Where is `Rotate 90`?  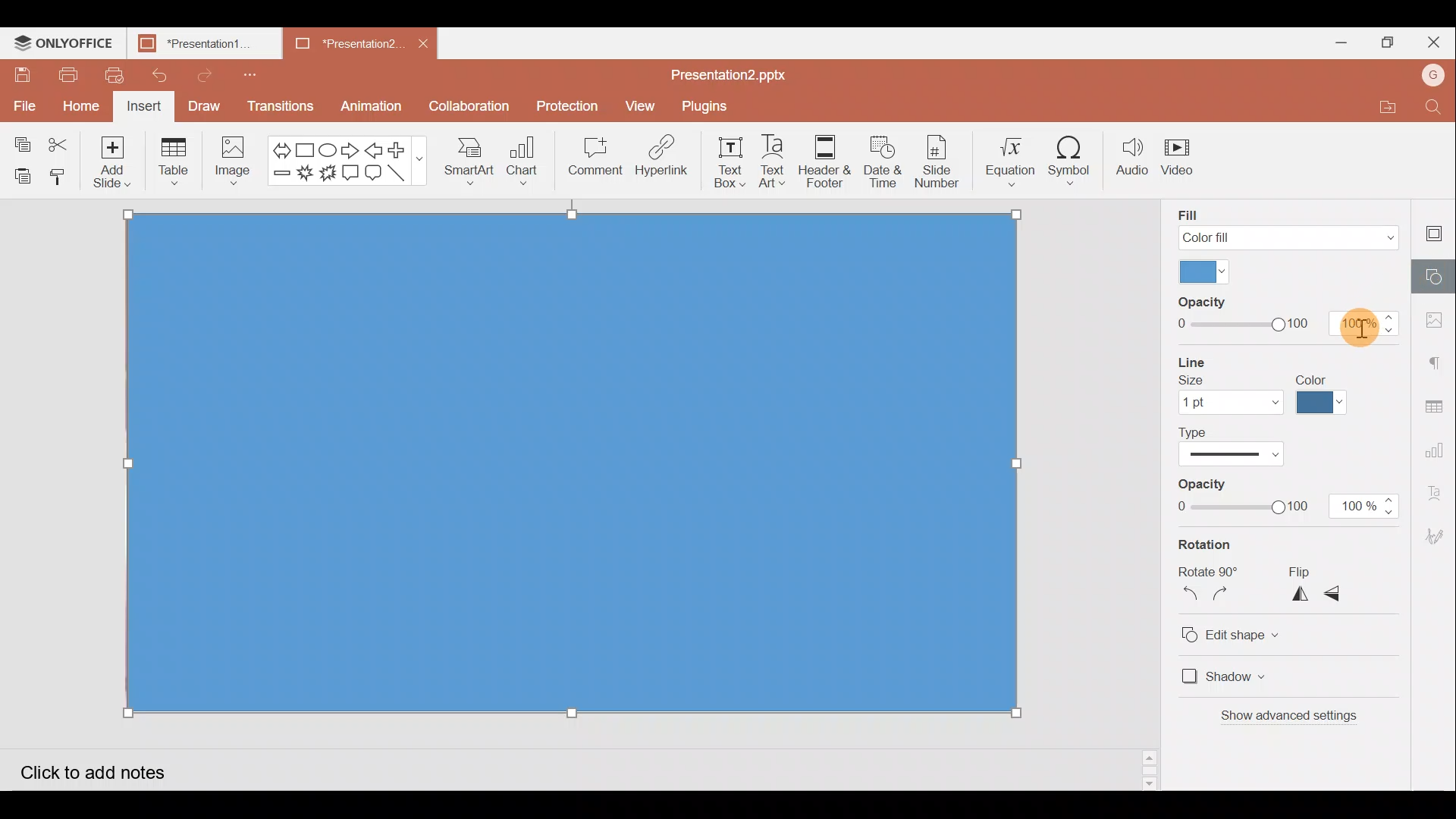 Rotate 90 is located at coordinates (1210, 572).